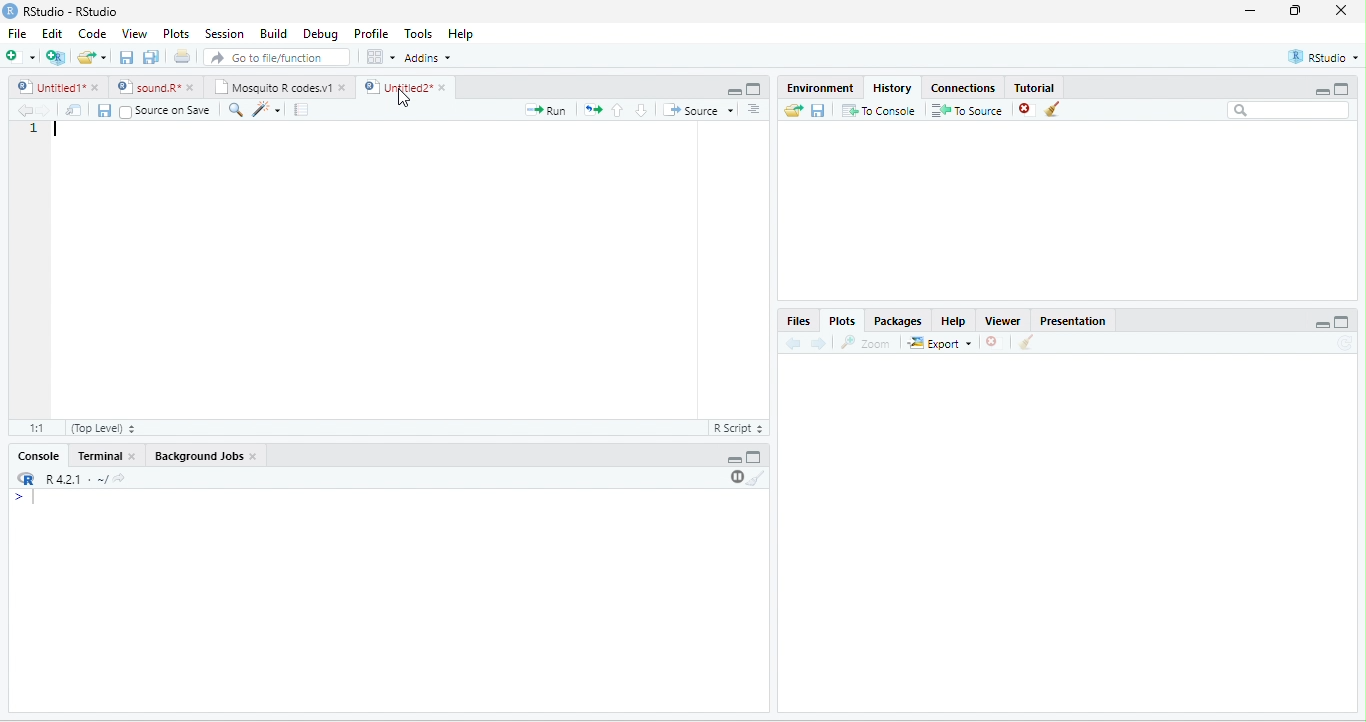 This screenshot has width=1366, height=722. Describe the element at coordinates (892, 88) in the screenshot. I see `History` at that location.